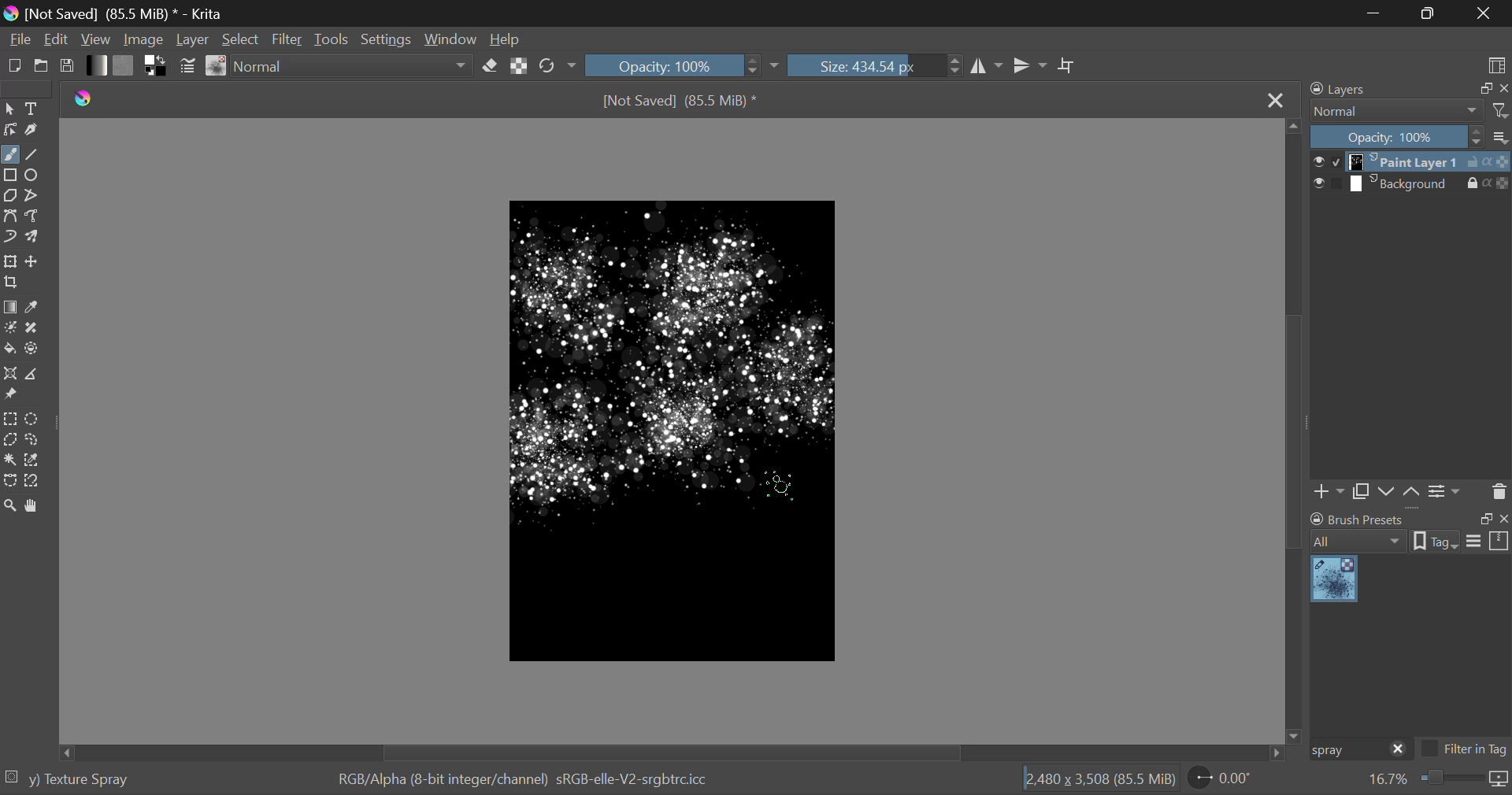 The width and height of the screenshot is (1512, 795). I want to click on Calligraphic Tool, so click(34, 130).